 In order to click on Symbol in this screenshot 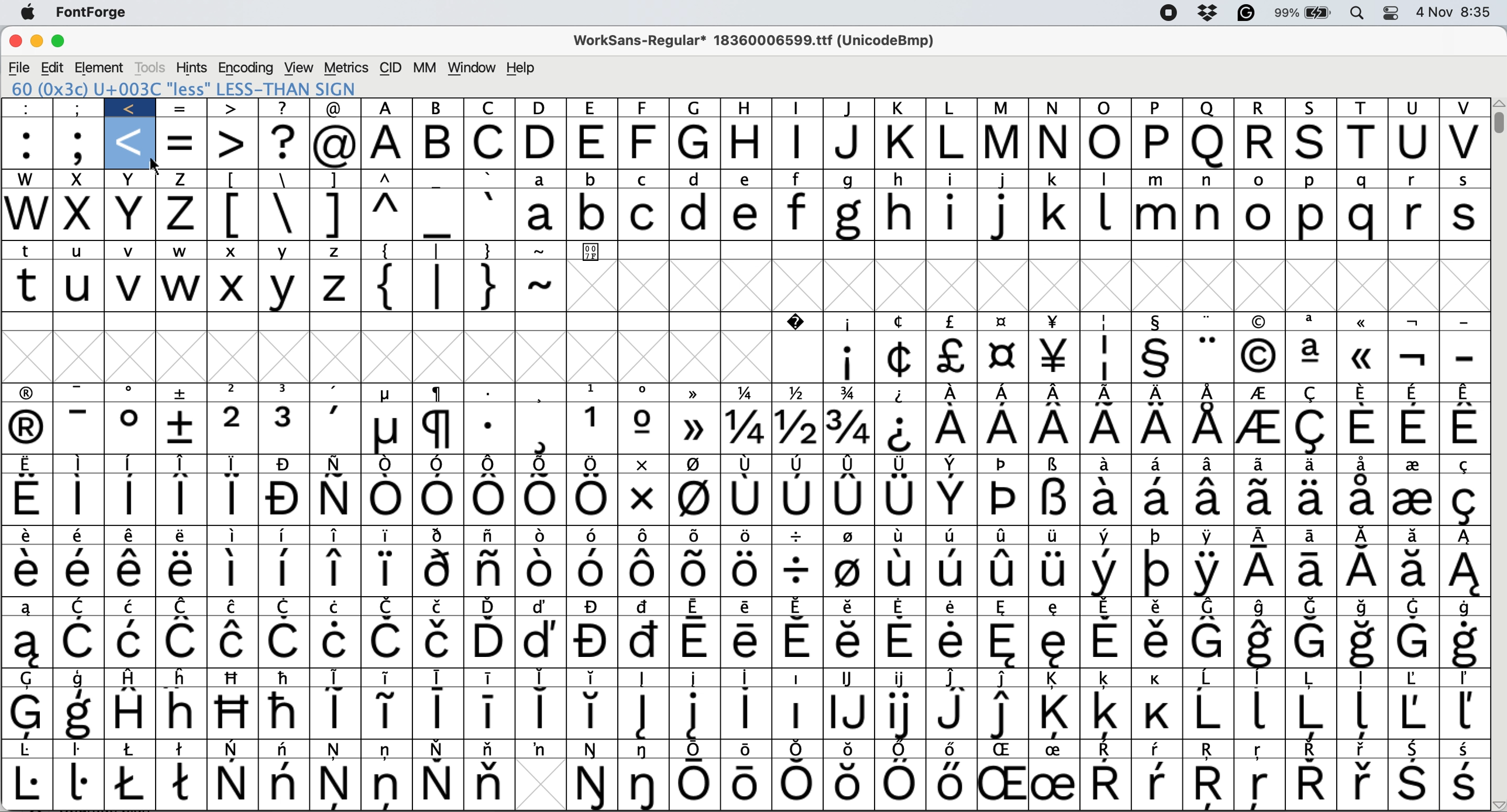, I will do `click(1002, 785)`.